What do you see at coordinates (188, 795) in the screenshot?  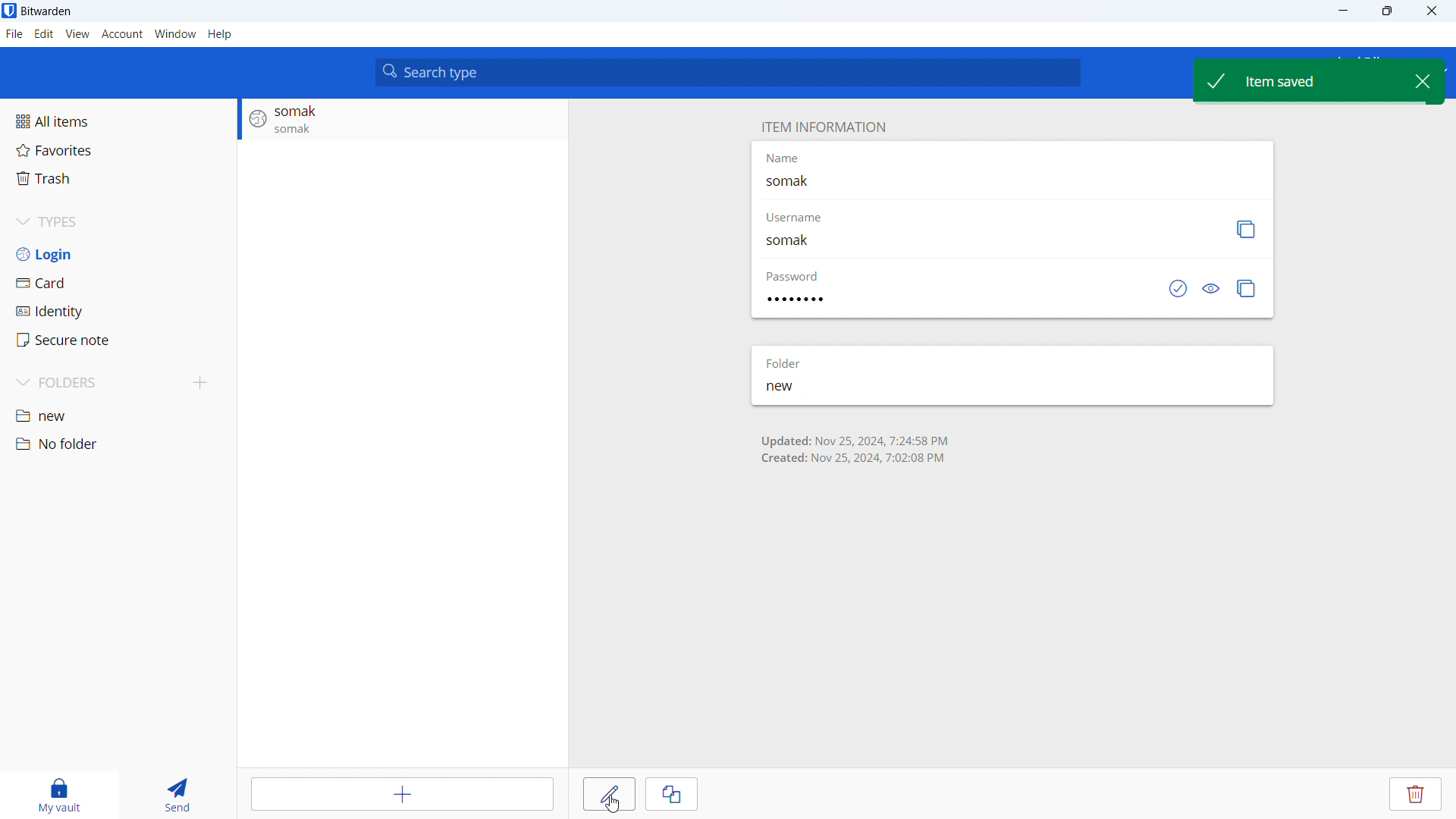 I see `send` at bounding box center [188, 795].